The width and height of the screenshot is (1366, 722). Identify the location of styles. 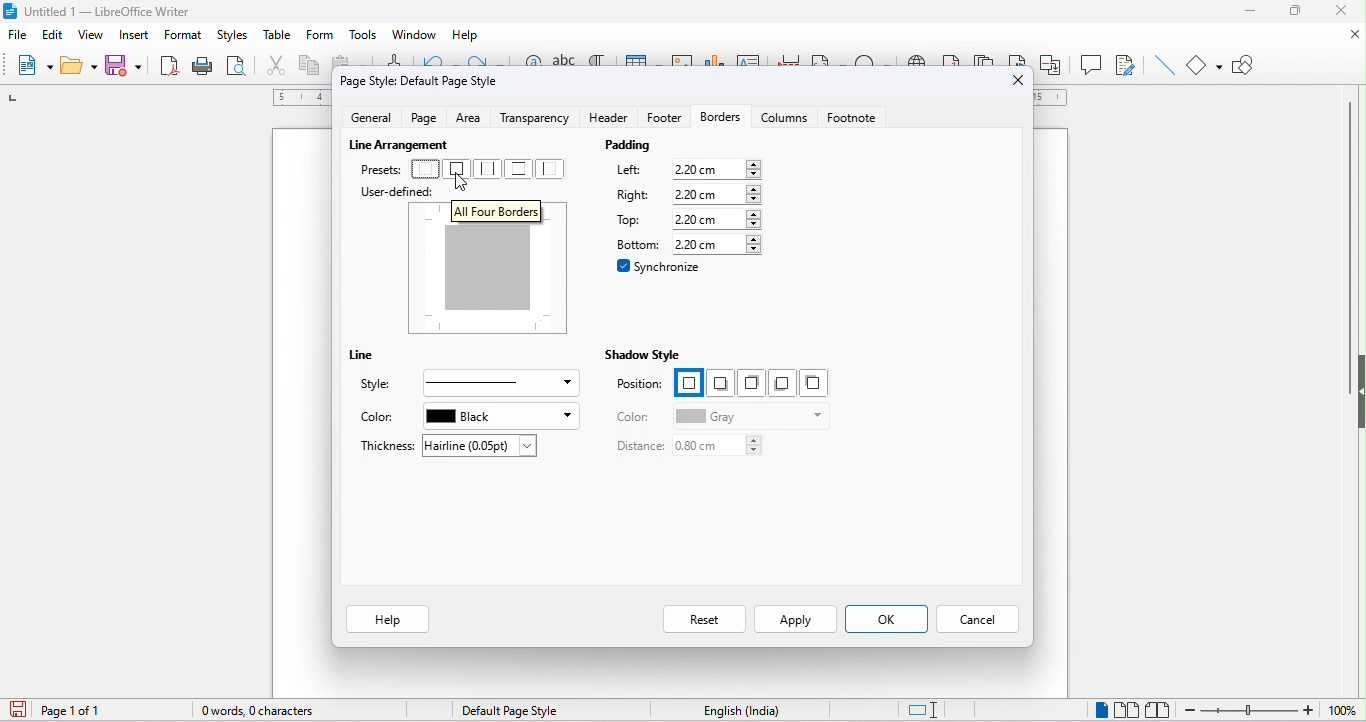
(236, 37).